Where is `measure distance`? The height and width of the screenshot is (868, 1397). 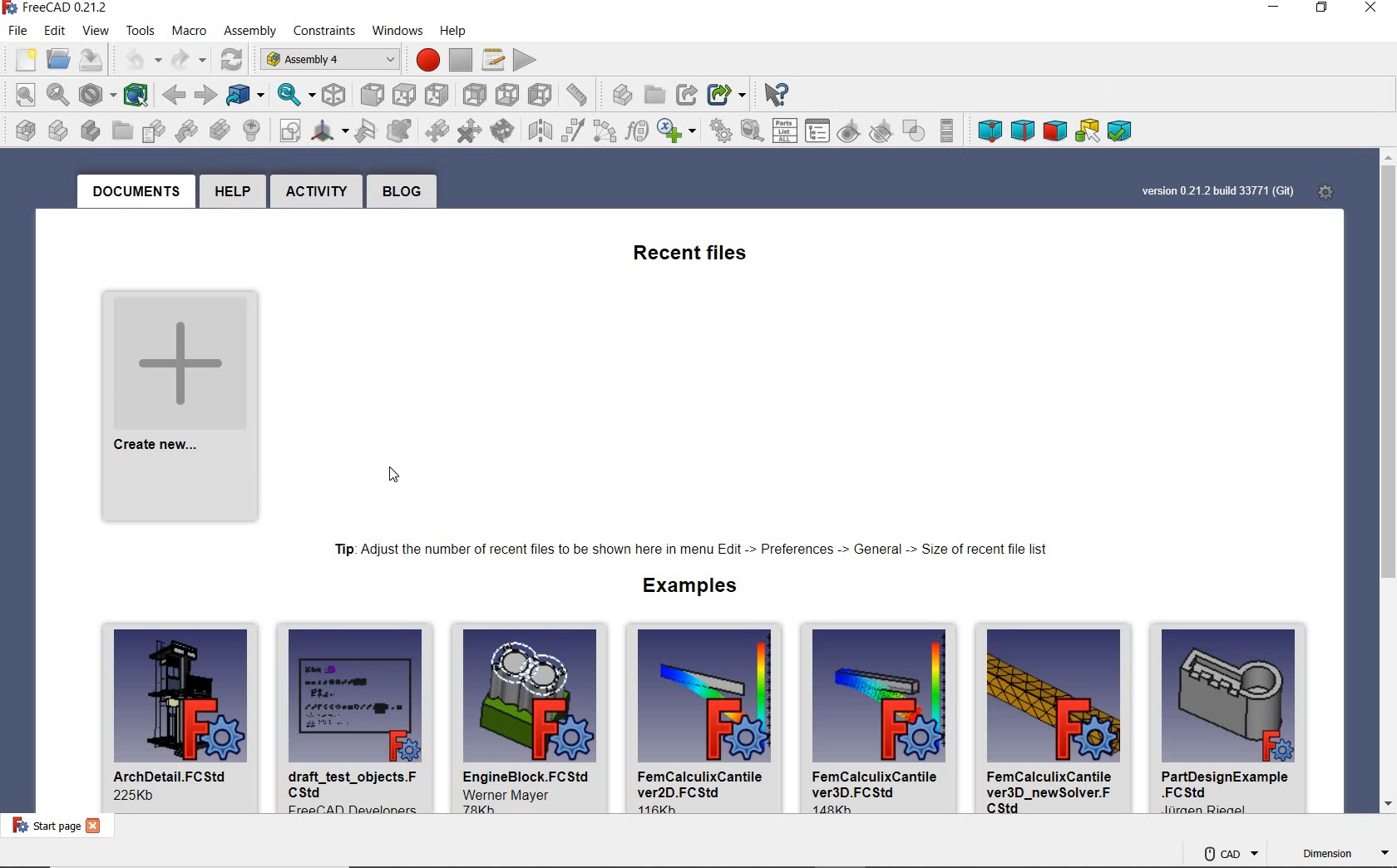
measure distance is located at coordinates (577, 94).